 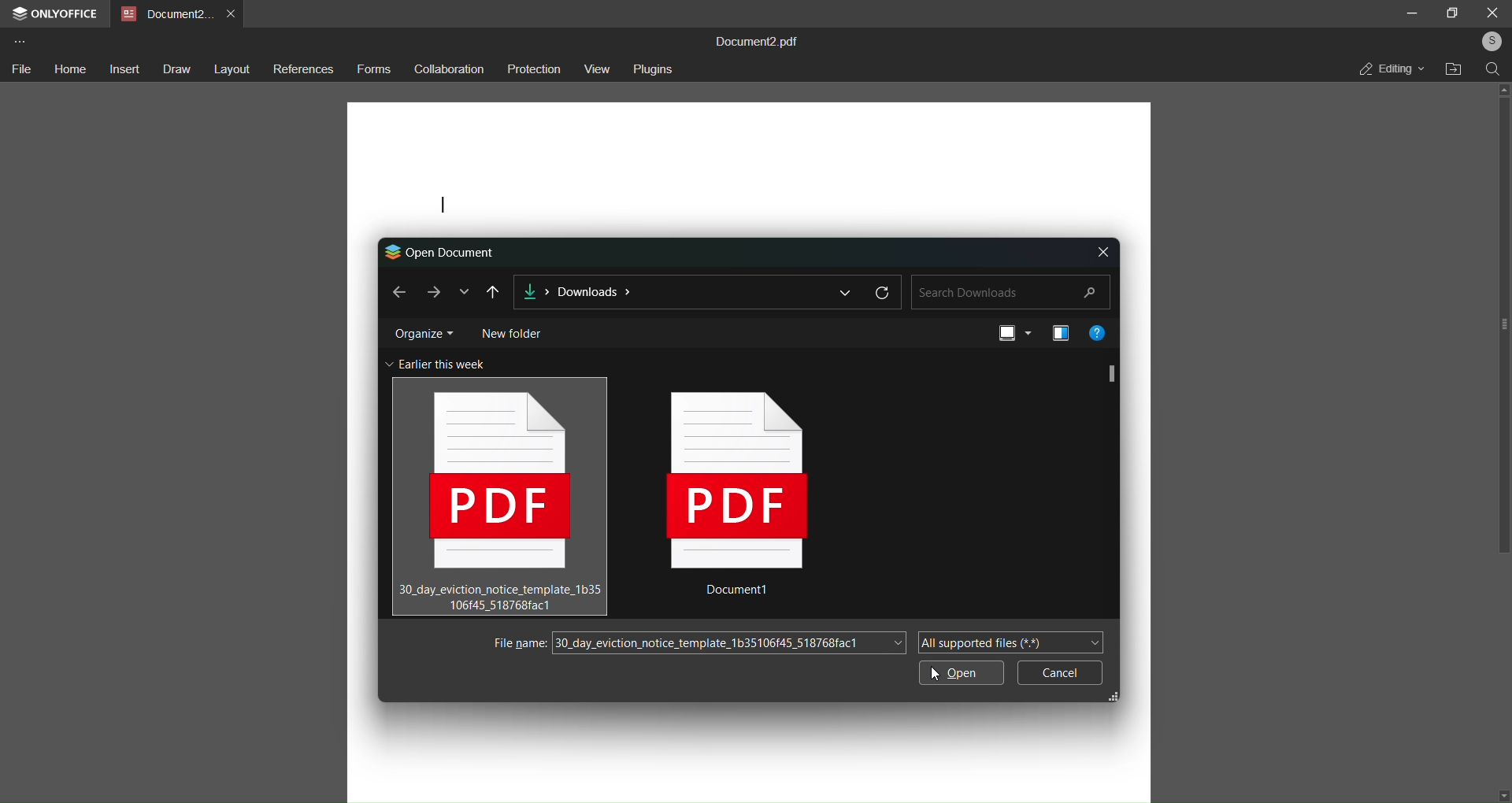 I want to click on list, so click(x=463, y=291).